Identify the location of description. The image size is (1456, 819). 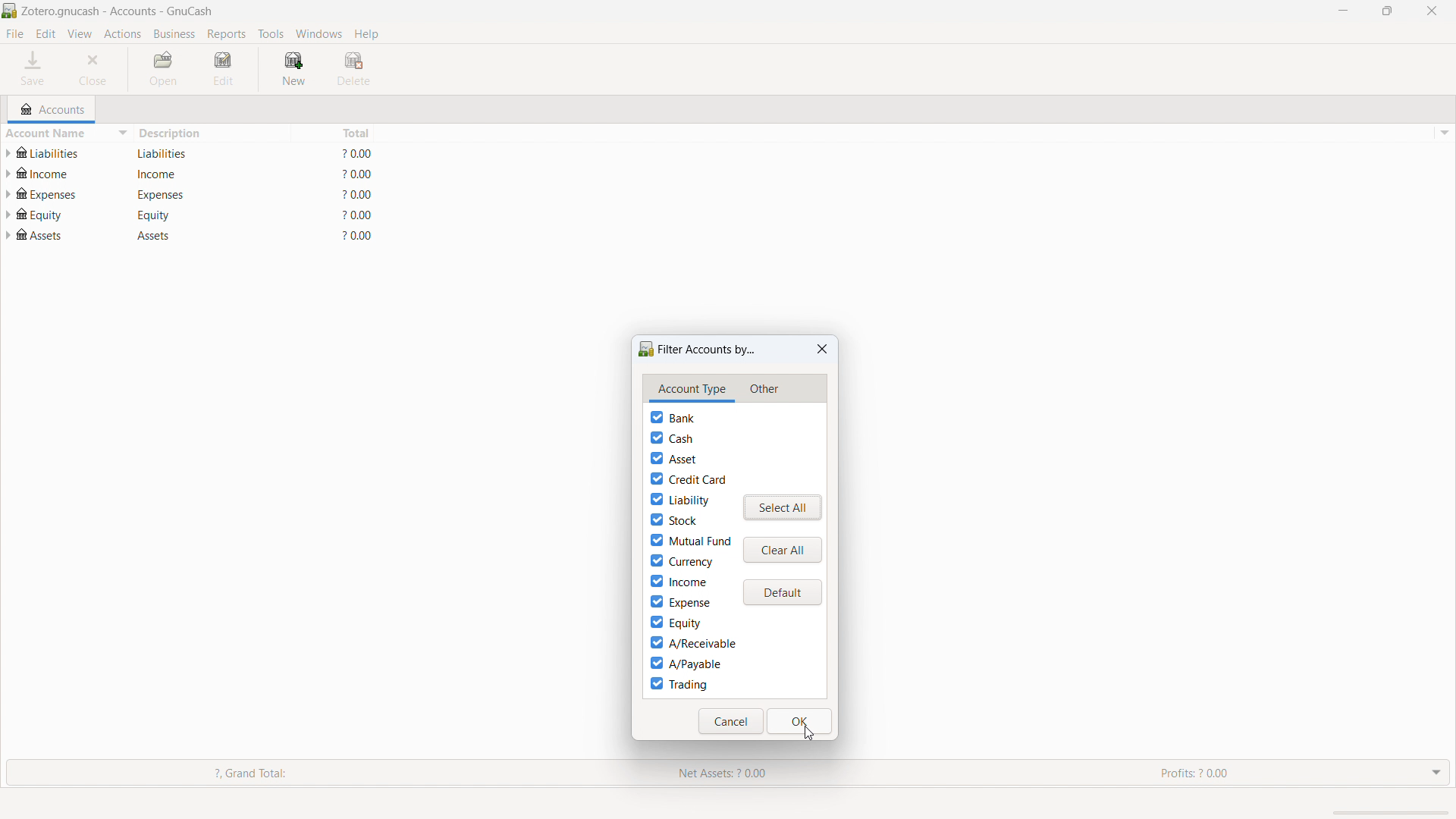
(171, 237).